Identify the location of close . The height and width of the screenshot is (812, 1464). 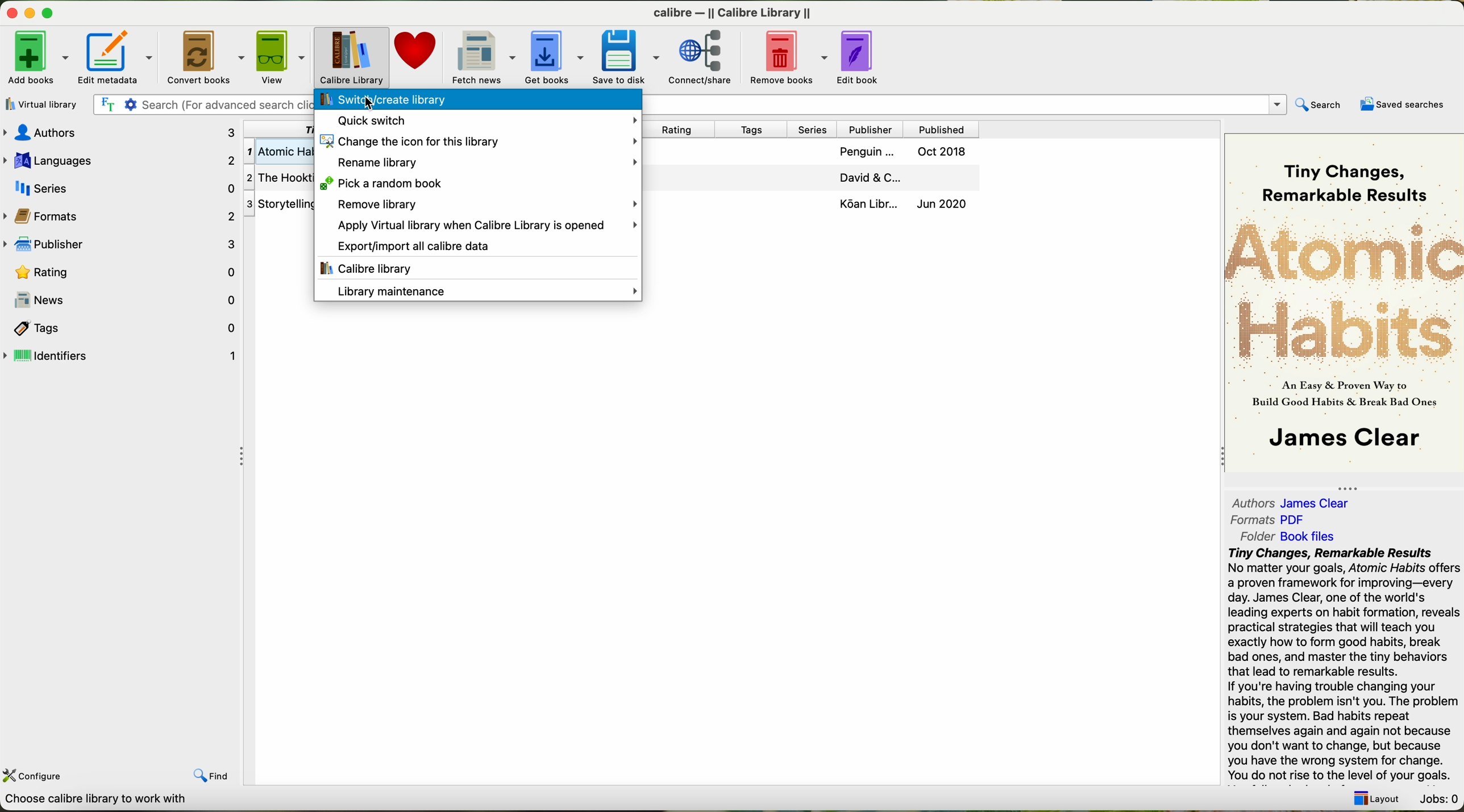
(11, 11).